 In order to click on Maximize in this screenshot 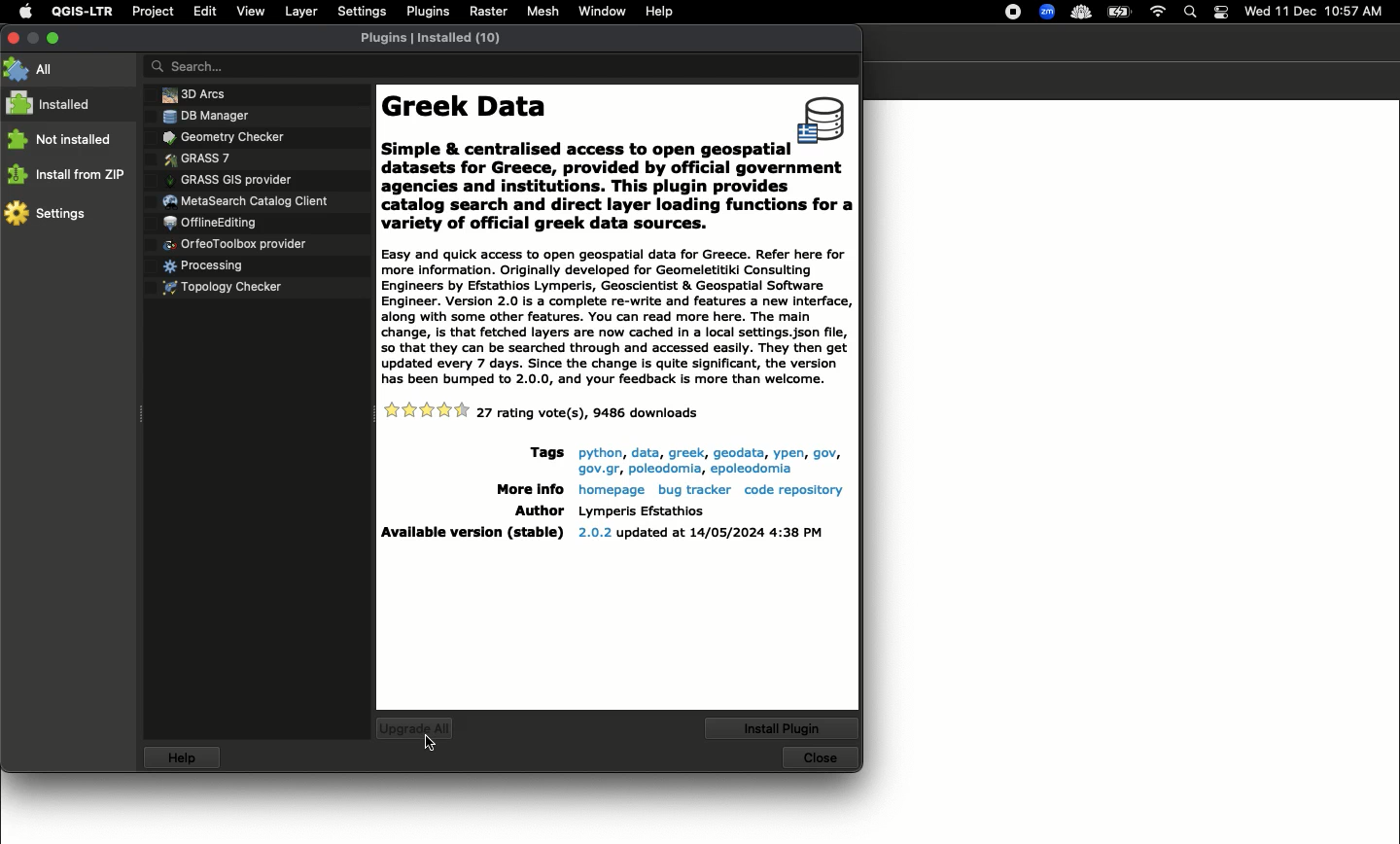, I will do `click(54, 35)`.